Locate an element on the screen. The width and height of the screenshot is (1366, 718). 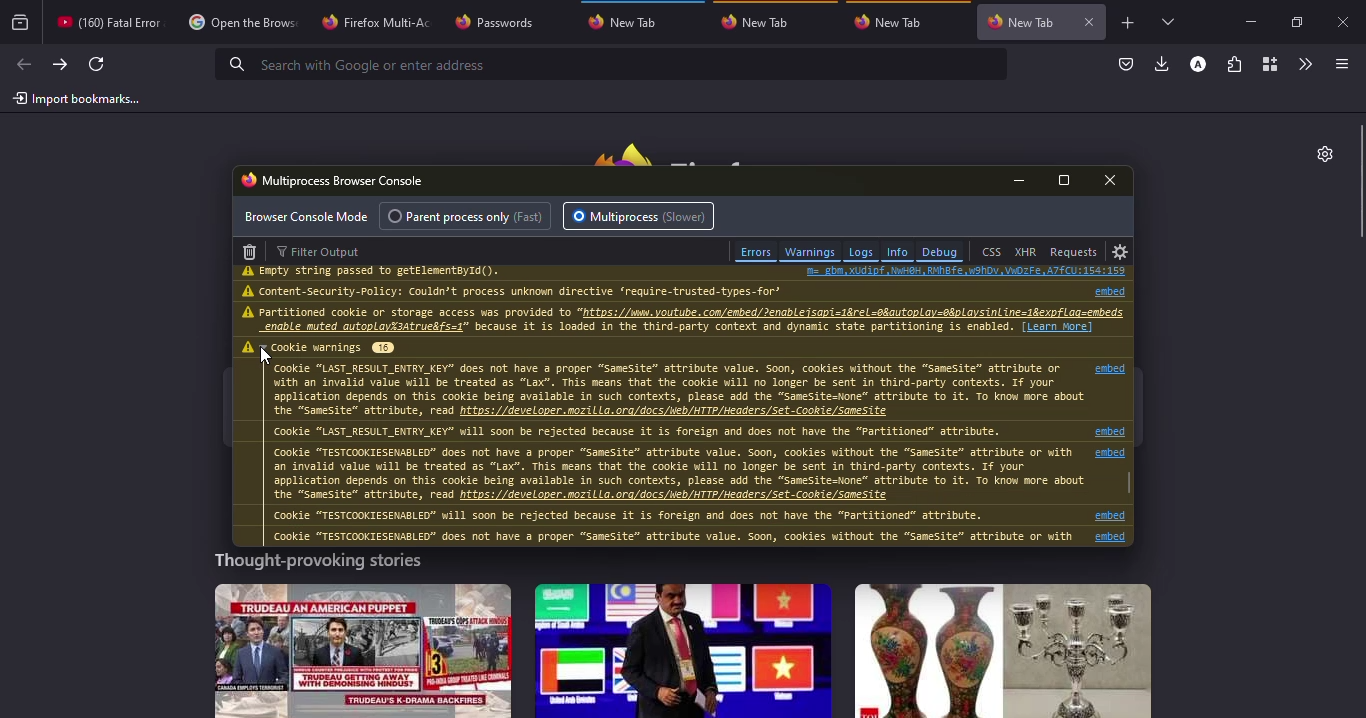
parent process is located at coordinates (469, 216).